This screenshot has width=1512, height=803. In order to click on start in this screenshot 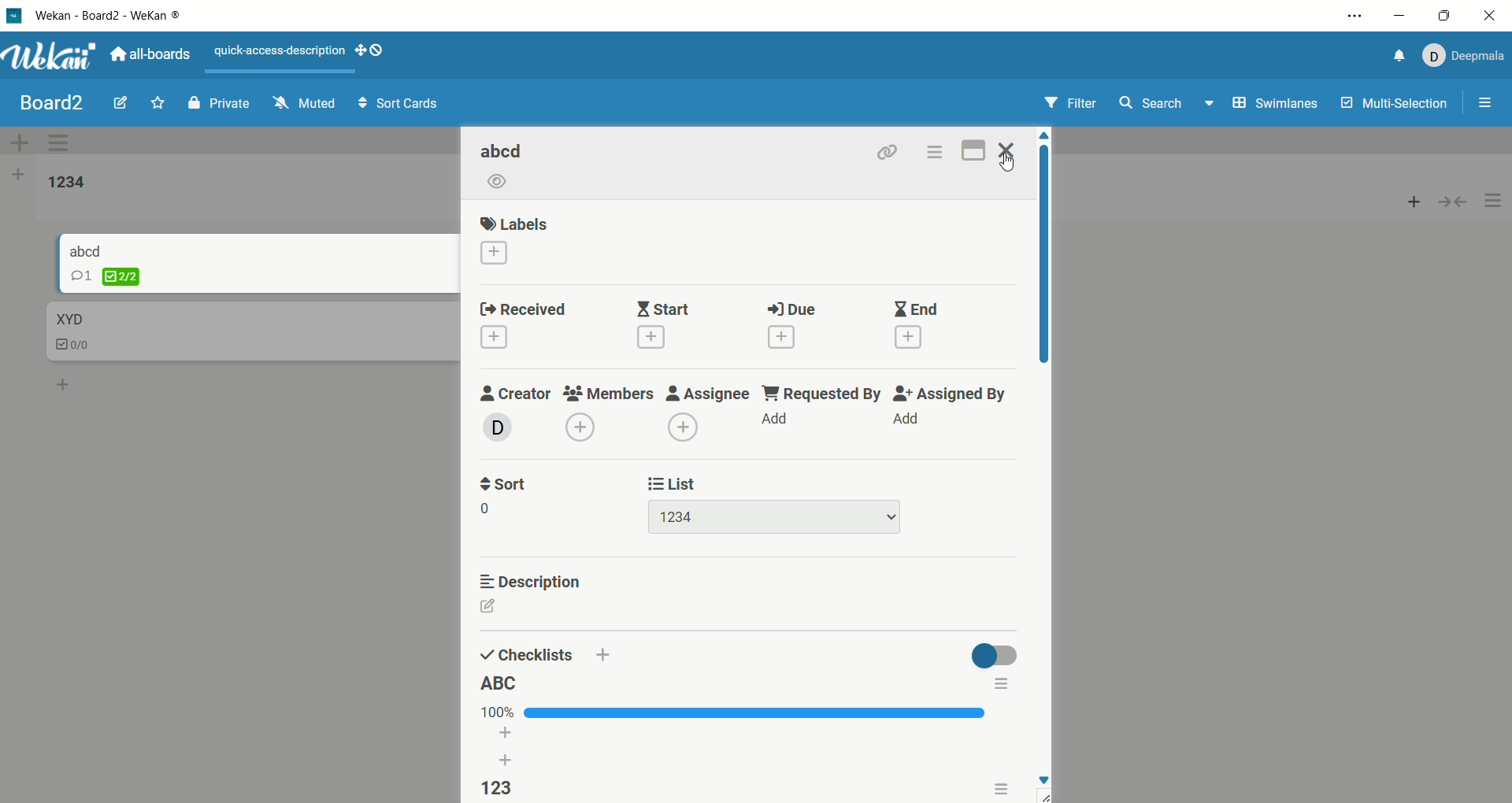, I will do `click(662, 316)`.